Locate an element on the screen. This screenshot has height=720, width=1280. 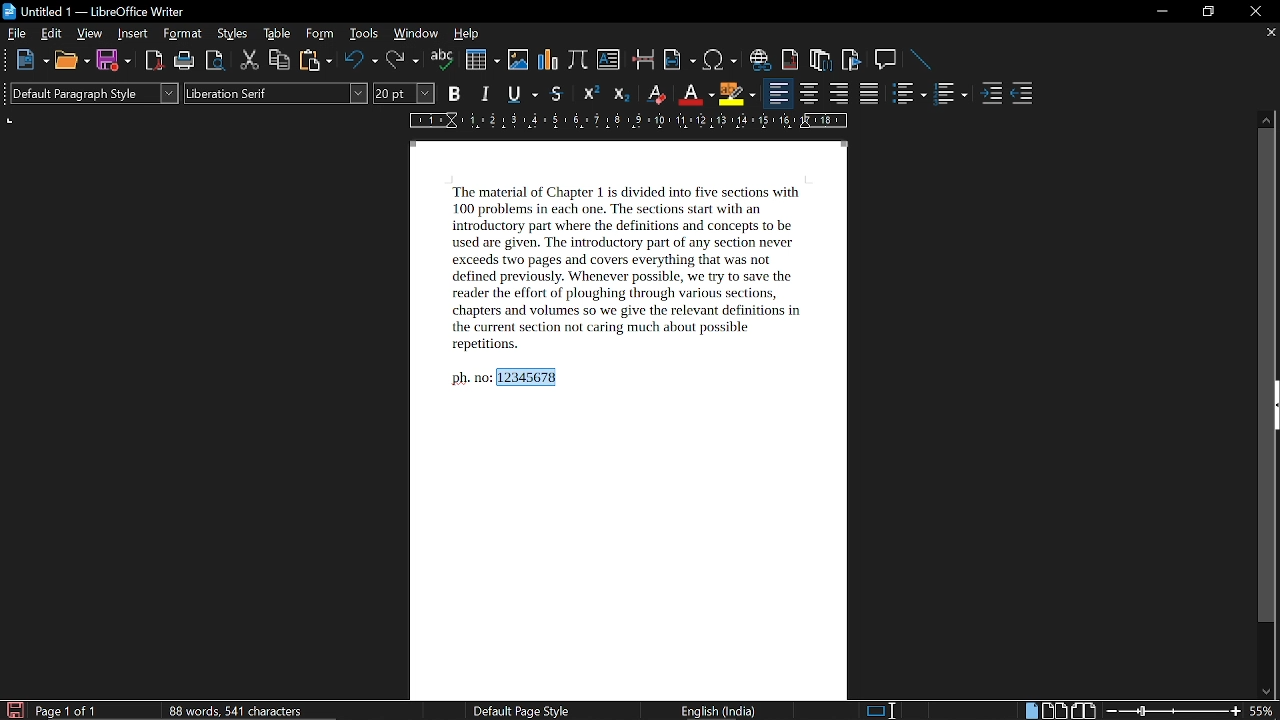
table is located at coordinates (278, 35).